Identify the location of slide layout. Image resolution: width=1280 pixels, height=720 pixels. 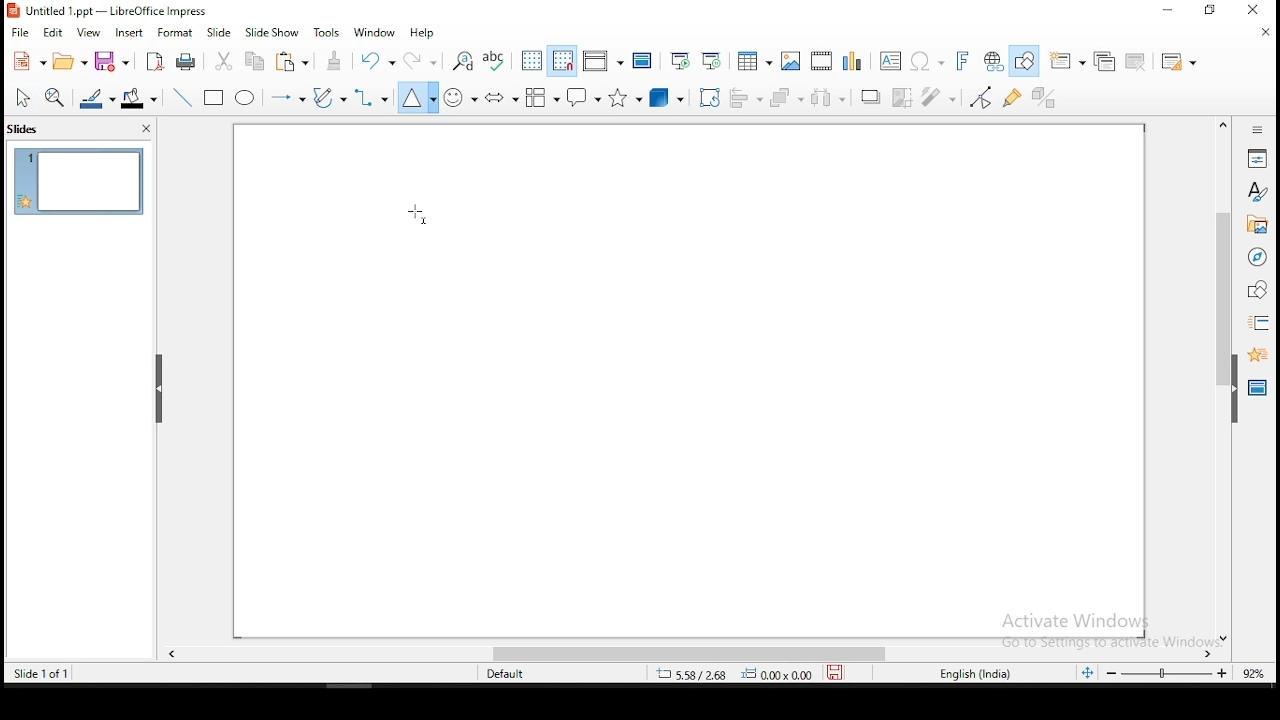
(1179, 59).